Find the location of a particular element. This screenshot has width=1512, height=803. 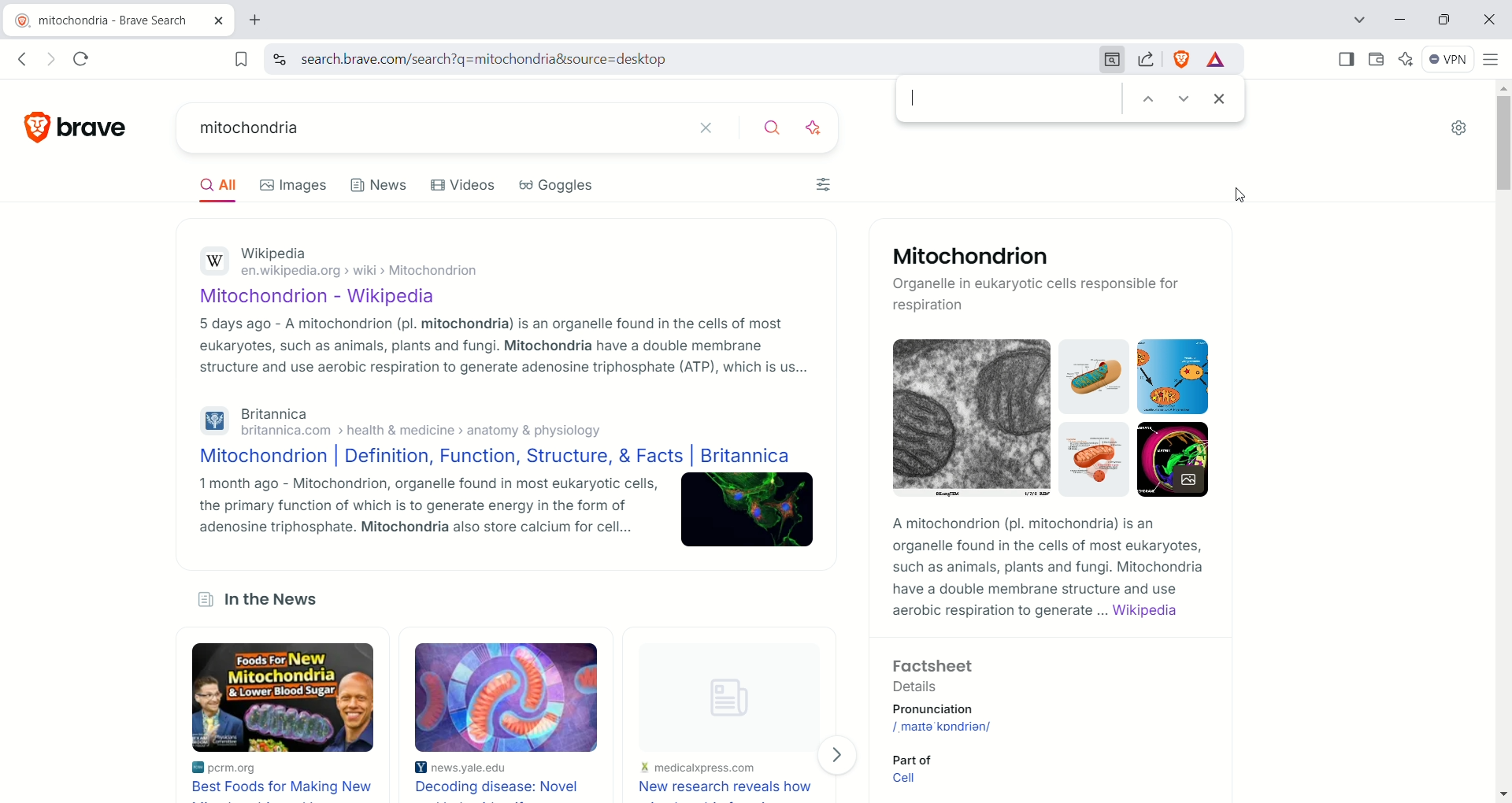

Factsheet Details Pronunciation is located at coordinates (968, 687).